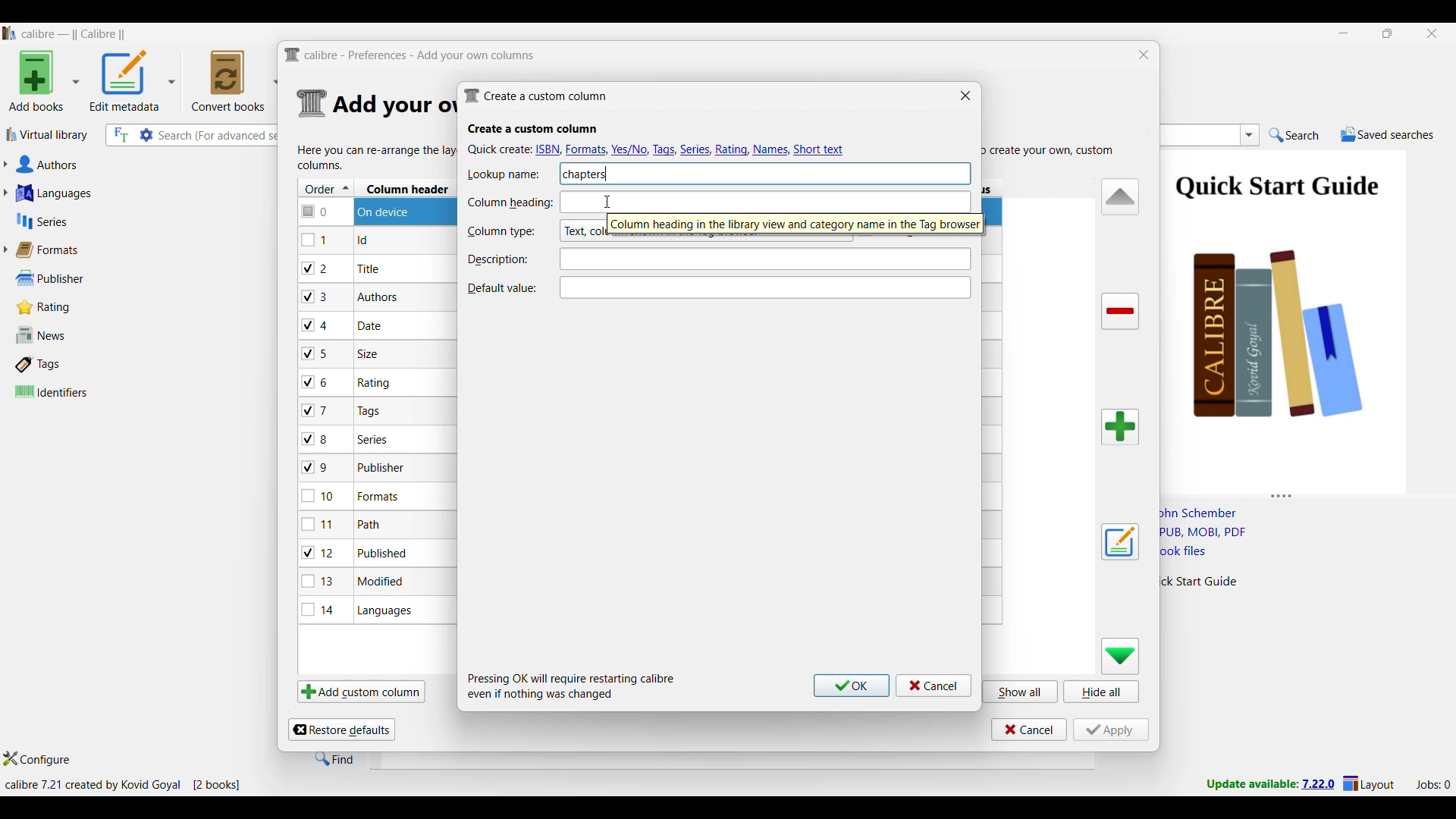 This screenshot has width=1456, height=819. I want to click on Cursor clicking on Column heading, so click(607, 202).